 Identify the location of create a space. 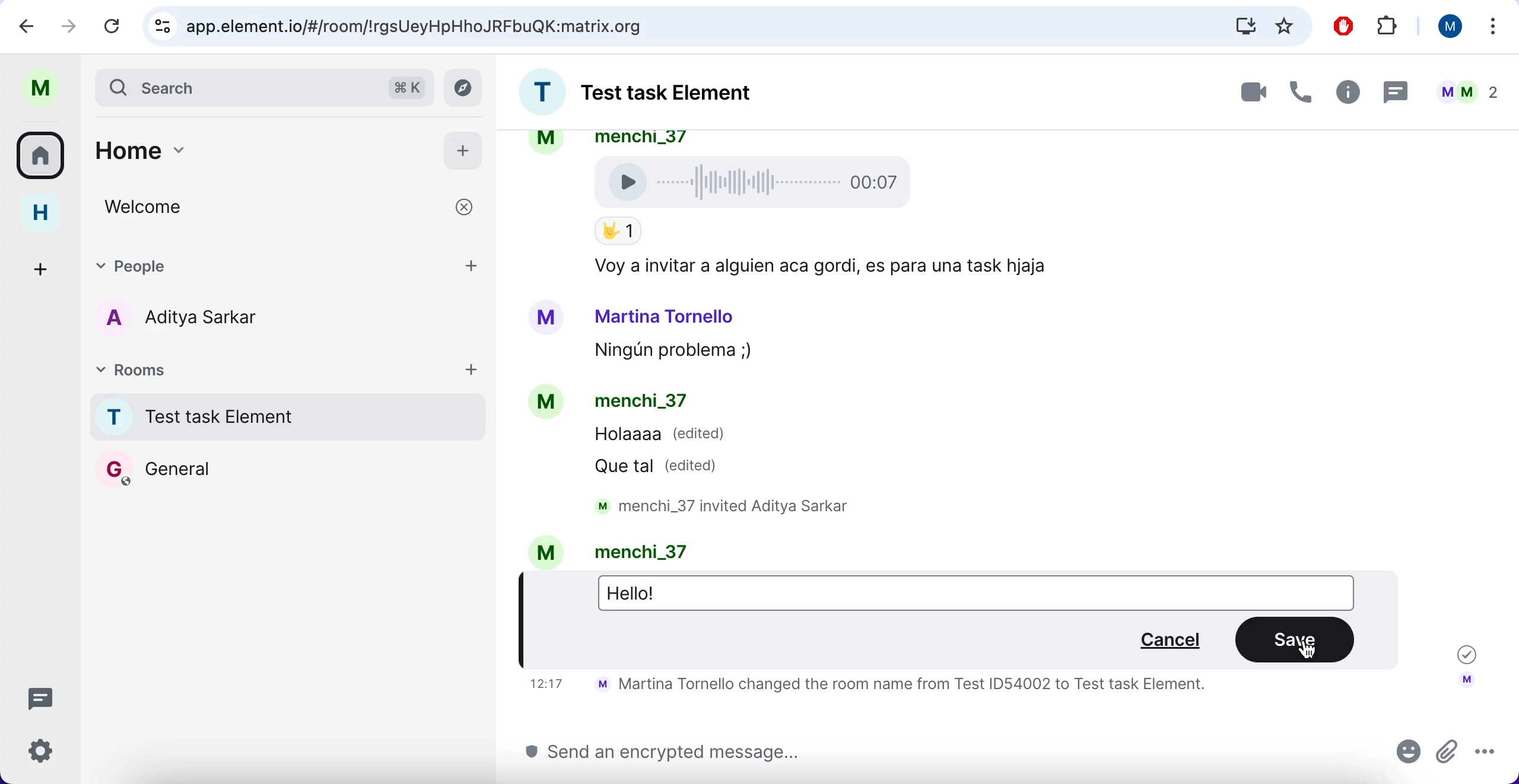
(34, 264).